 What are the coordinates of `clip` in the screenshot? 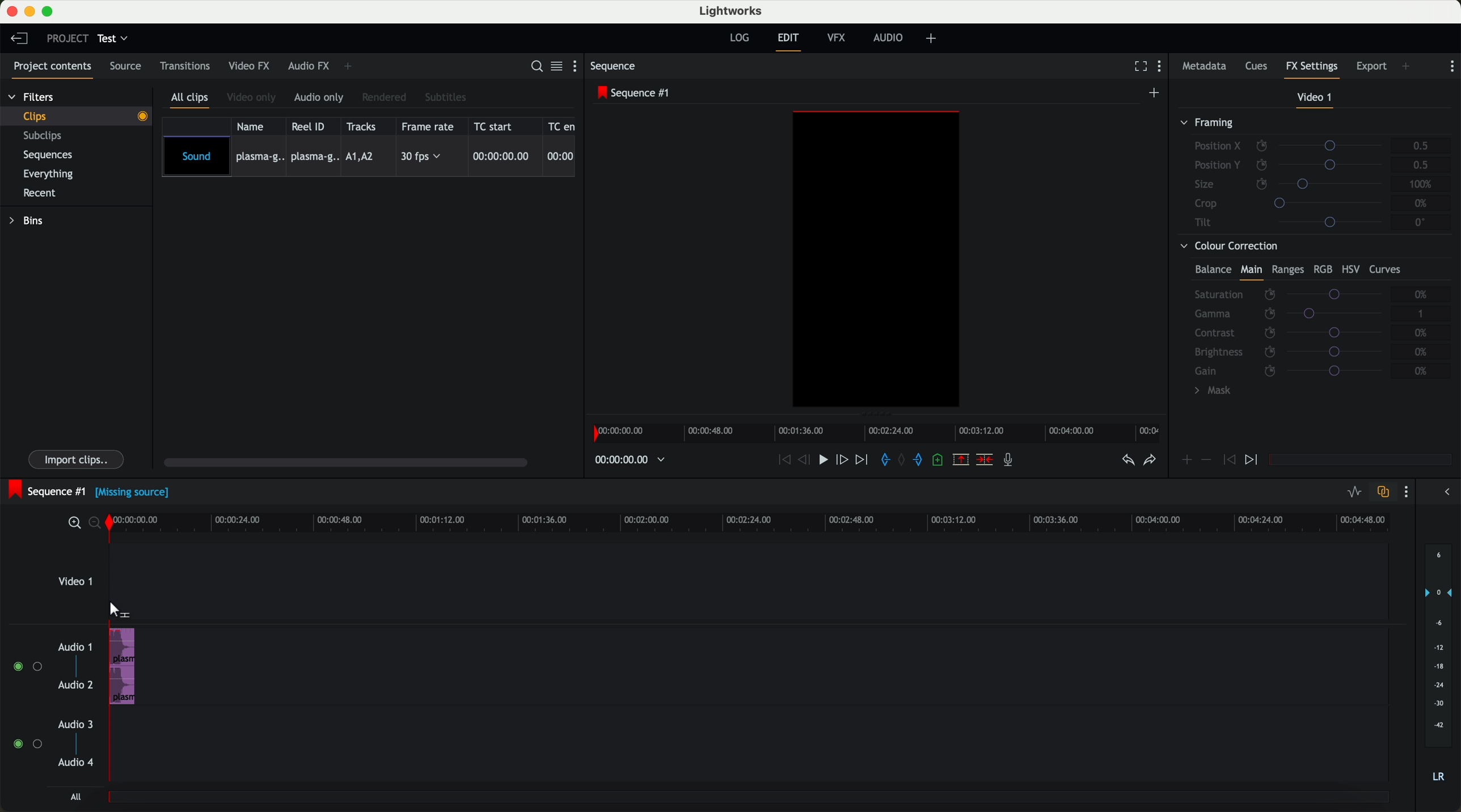 It's located at (83, 116).